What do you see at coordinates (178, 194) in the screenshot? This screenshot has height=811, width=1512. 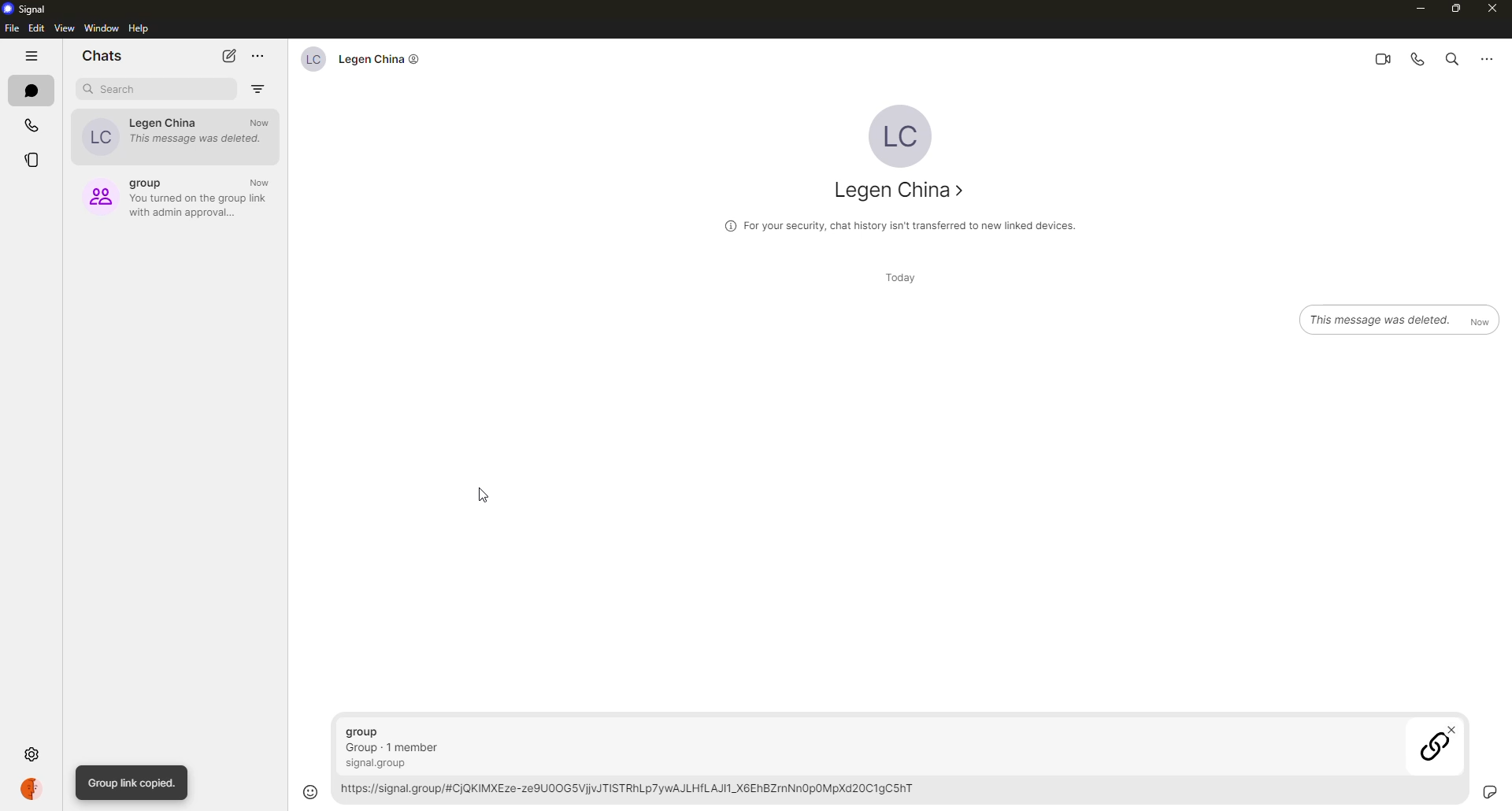 I see `group` at bounding box center [178, 194].